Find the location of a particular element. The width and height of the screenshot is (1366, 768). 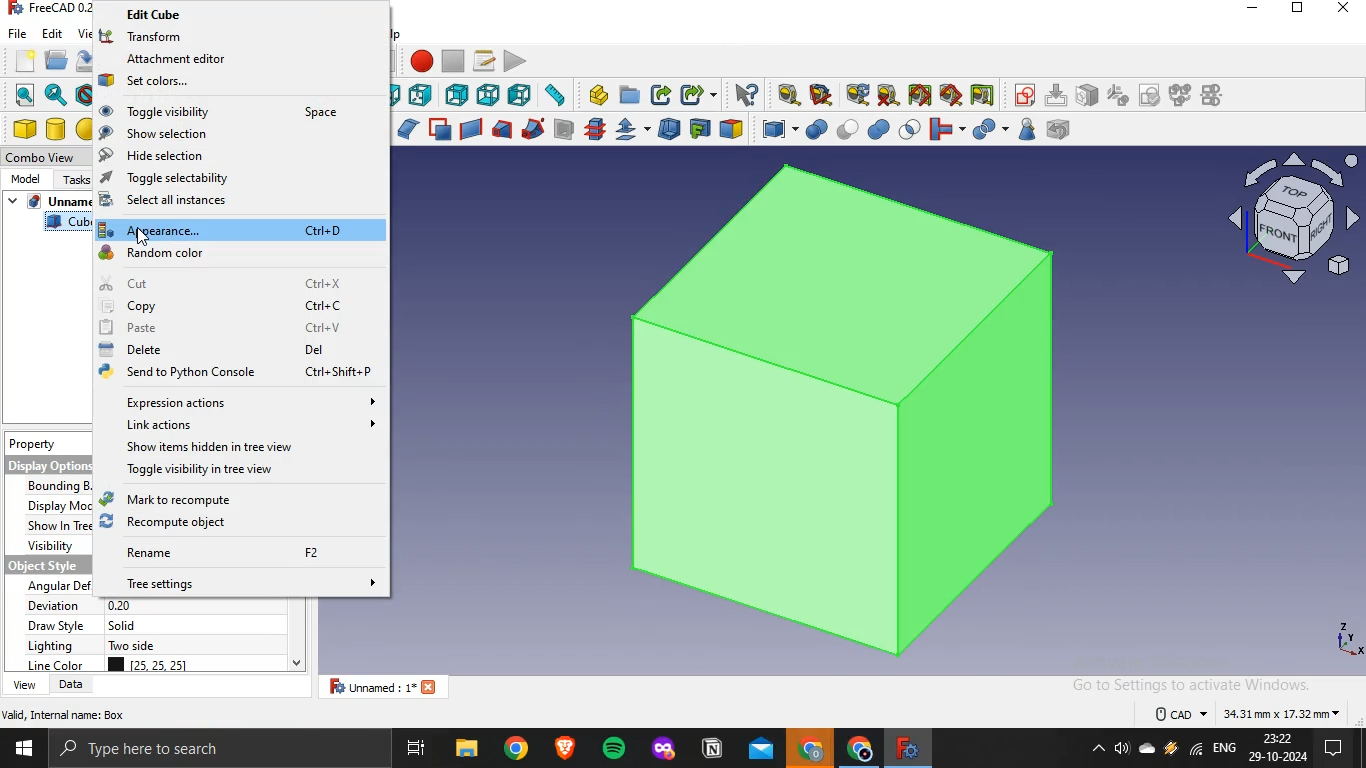

toggle visibility in tree view is located at coordinates (242, 470).